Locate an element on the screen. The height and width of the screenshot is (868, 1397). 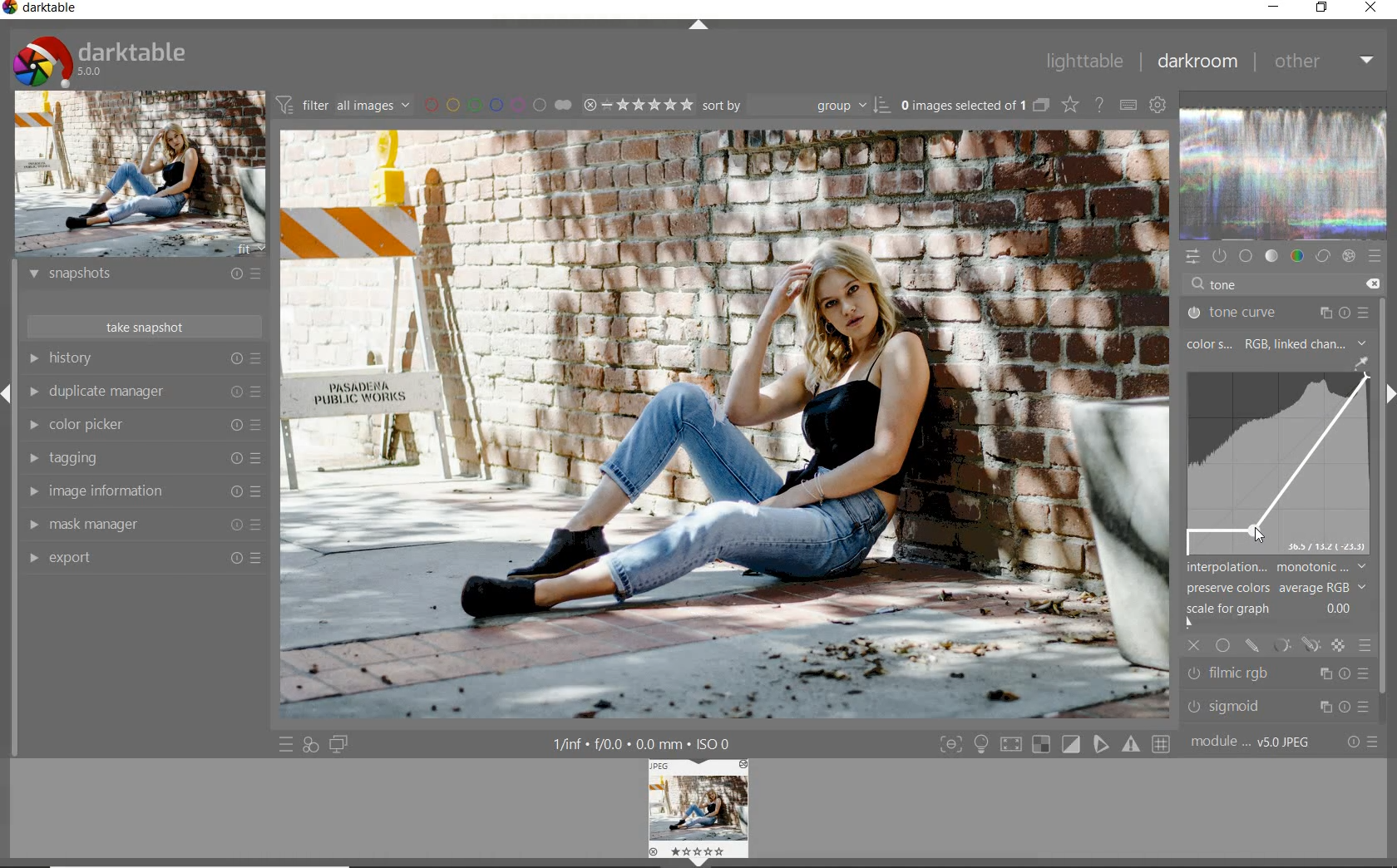
quick access to presets is located at coordinates (286, 744).